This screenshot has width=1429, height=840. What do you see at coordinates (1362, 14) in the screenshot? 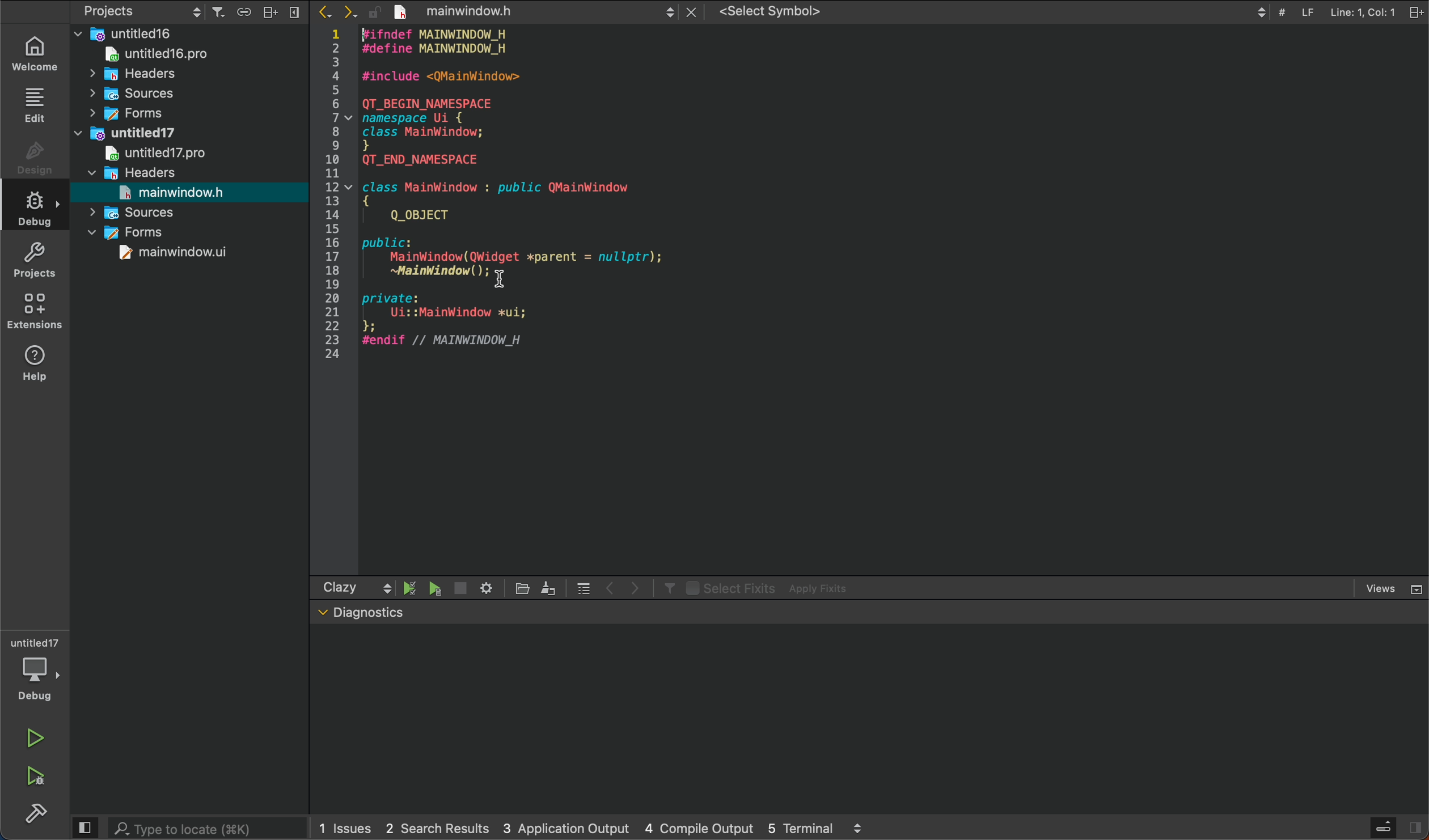
I see `Line: 1, Col: 1` at bounding box center [1362, 14].